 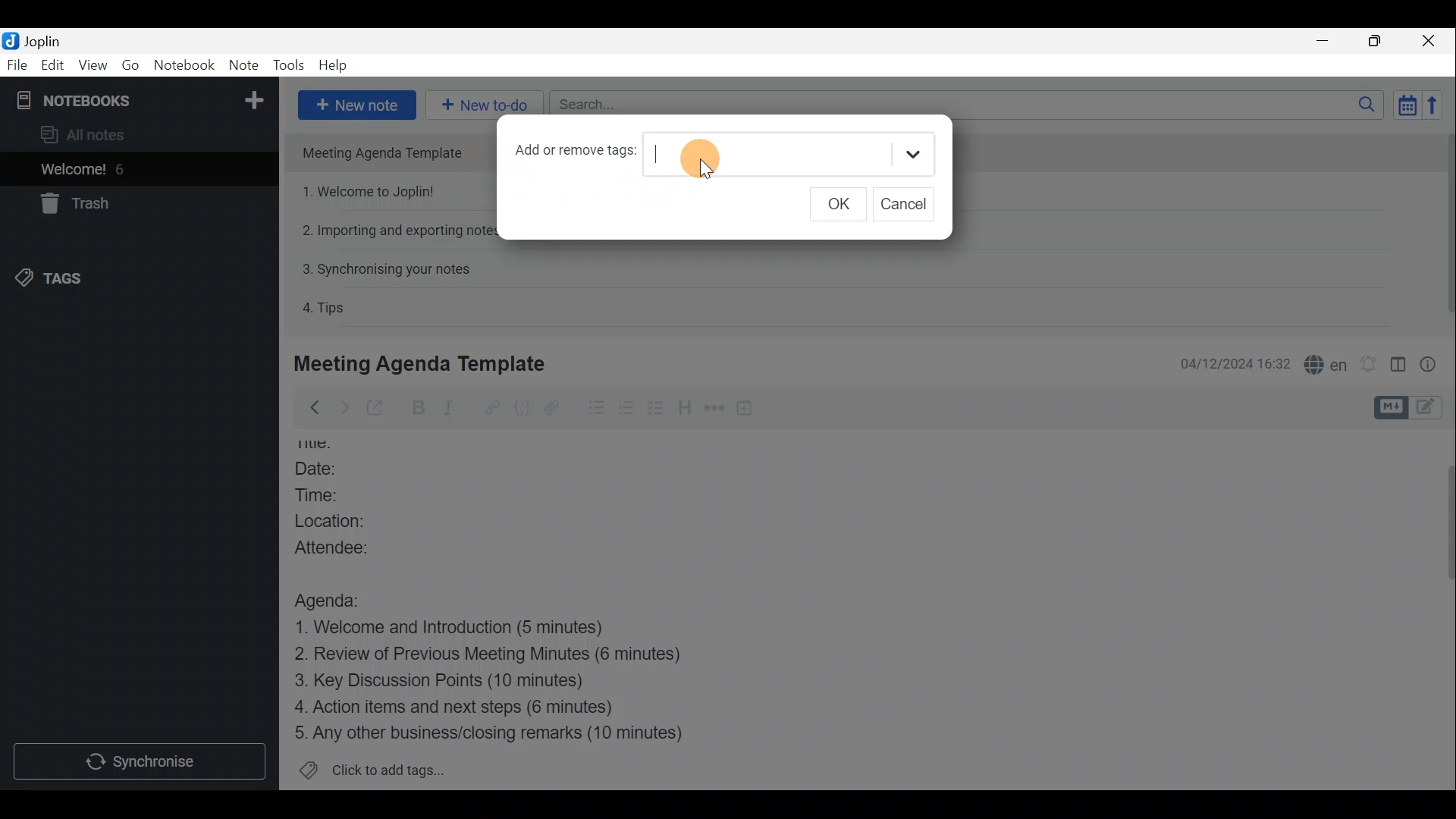 What do you see at coordinates (422, 363) in the screenshot?
I see `Meeting Agenda Template` at bounding box center [422, 363].